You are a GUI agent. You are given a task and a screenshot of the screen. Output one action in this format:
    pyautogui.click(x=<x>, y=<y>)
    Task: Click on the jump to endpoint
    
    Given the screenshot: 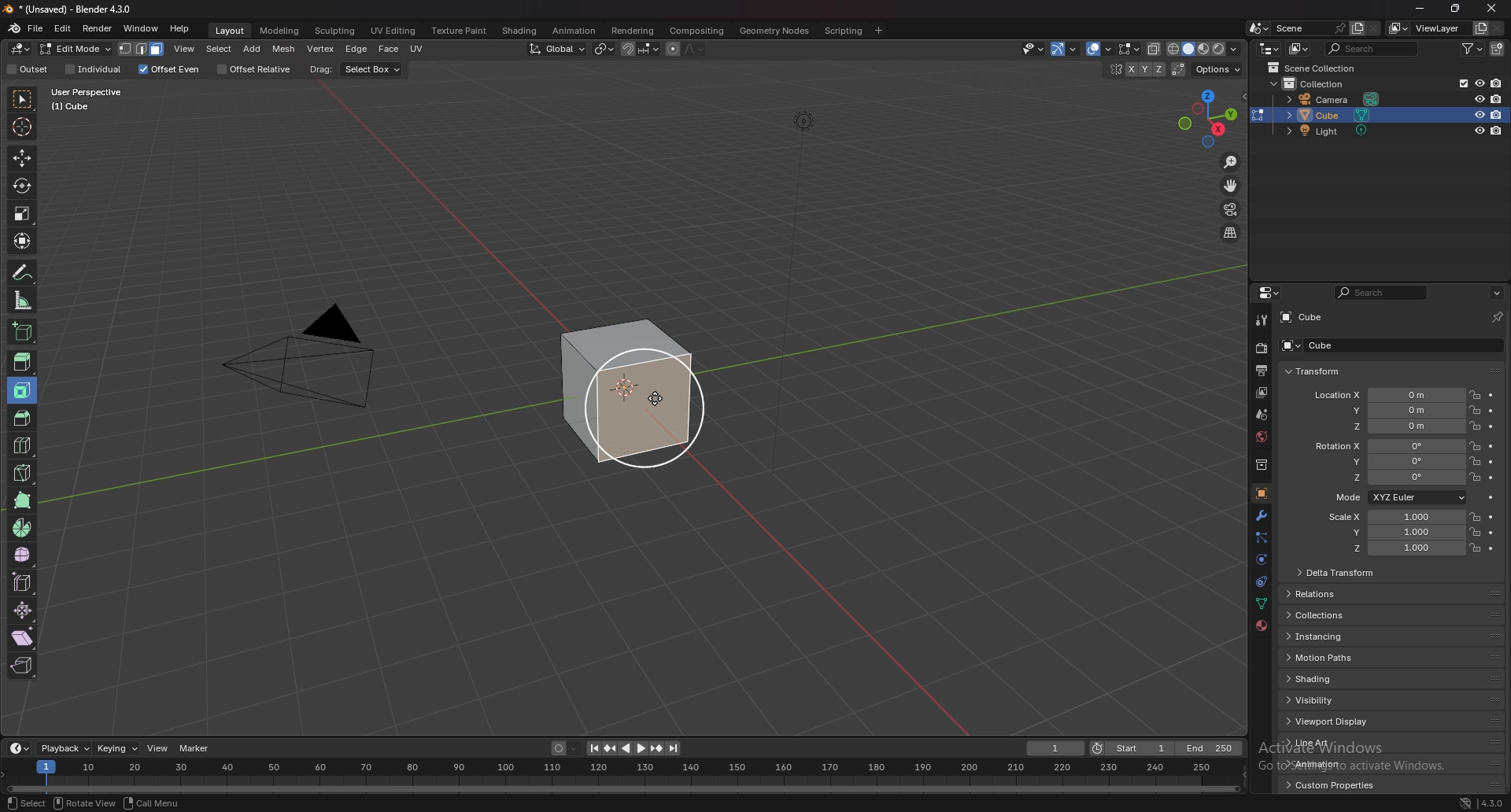 What is the action you would take?
    pyautogui.click(x=674, y=748)
    